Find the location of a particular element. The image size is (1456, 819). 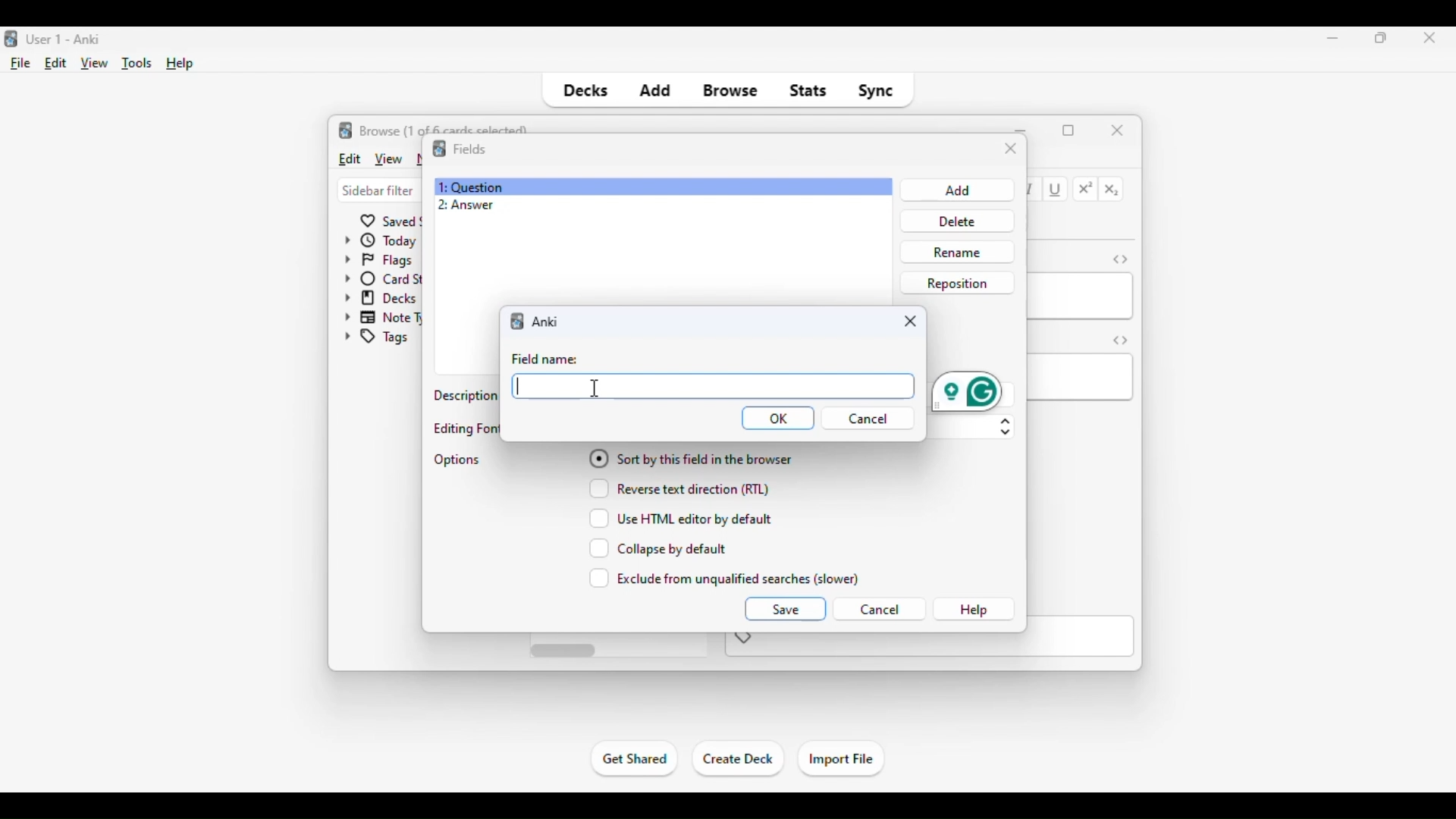

collapse by default is located at coordinates (658, 548).